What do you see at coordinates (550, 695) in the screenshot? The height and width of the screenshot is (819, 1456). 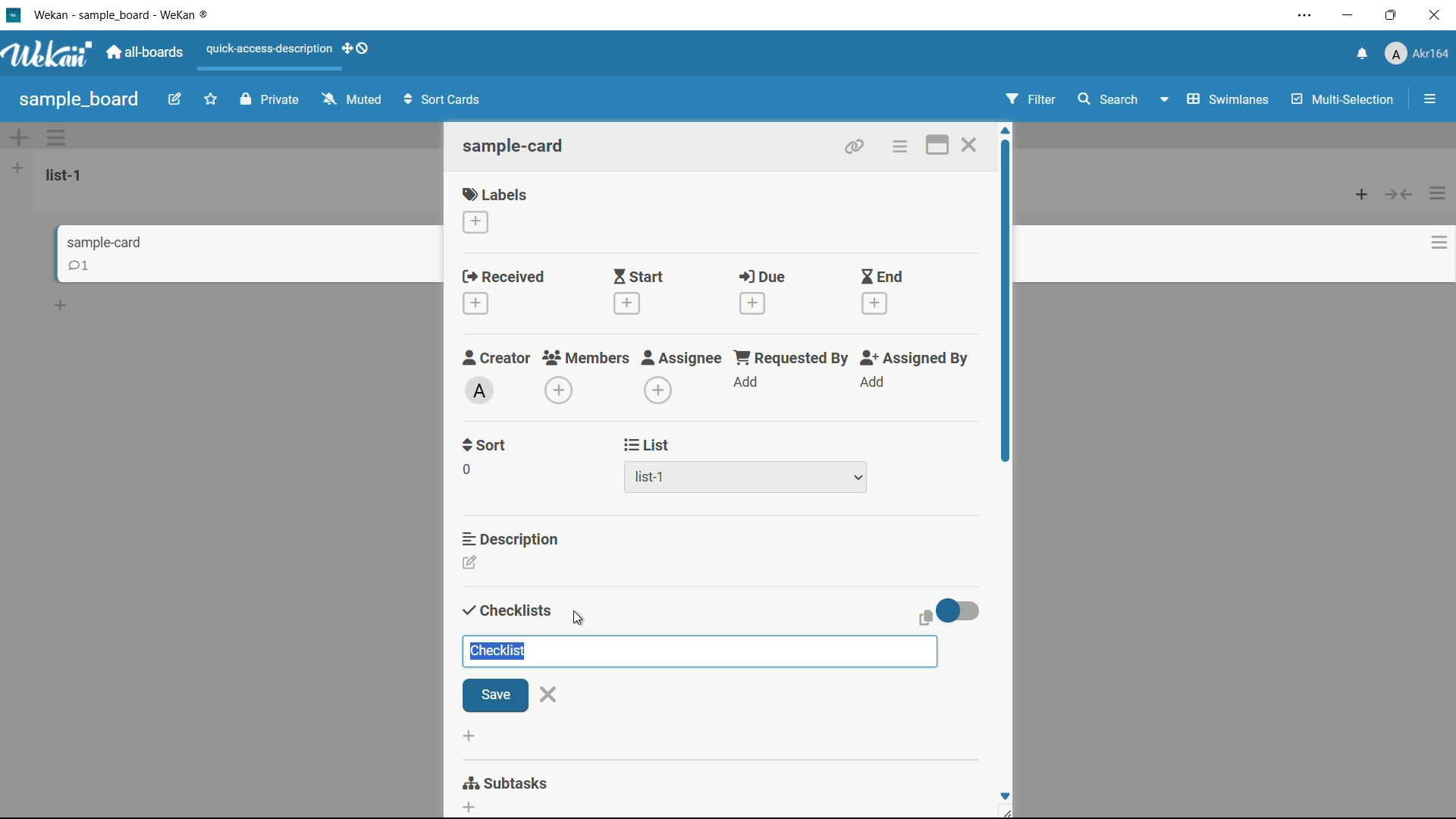 I see `close add an item` at bounding box center [550, 695].